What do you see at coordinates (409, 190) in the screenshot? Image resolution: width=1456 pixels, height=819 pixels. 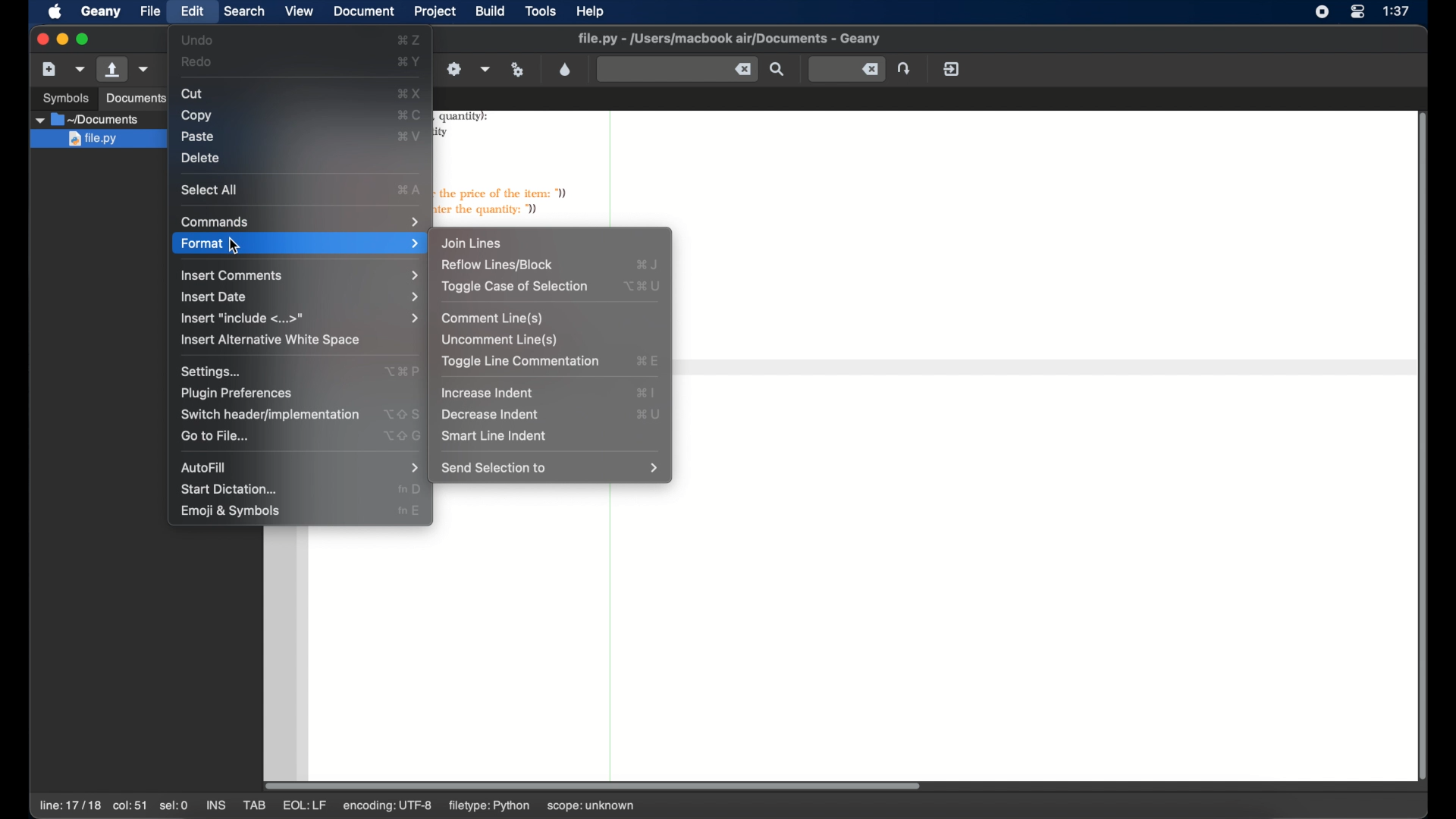 I see `select all shortcut` at bounding box center [409, 190].